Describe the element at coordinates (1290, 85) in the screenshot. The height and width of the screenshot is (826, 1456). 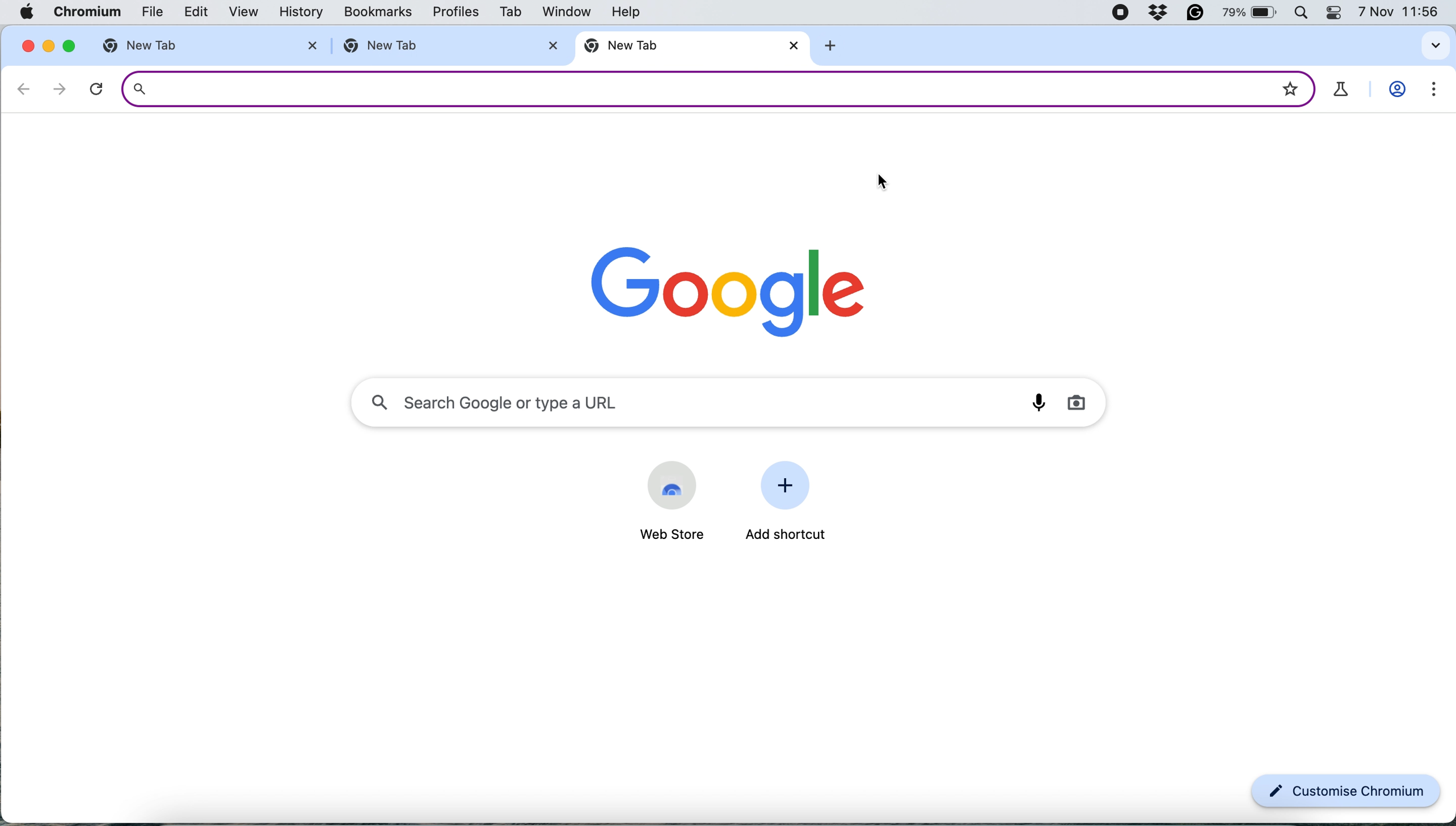
I see `bookmark` at that location.